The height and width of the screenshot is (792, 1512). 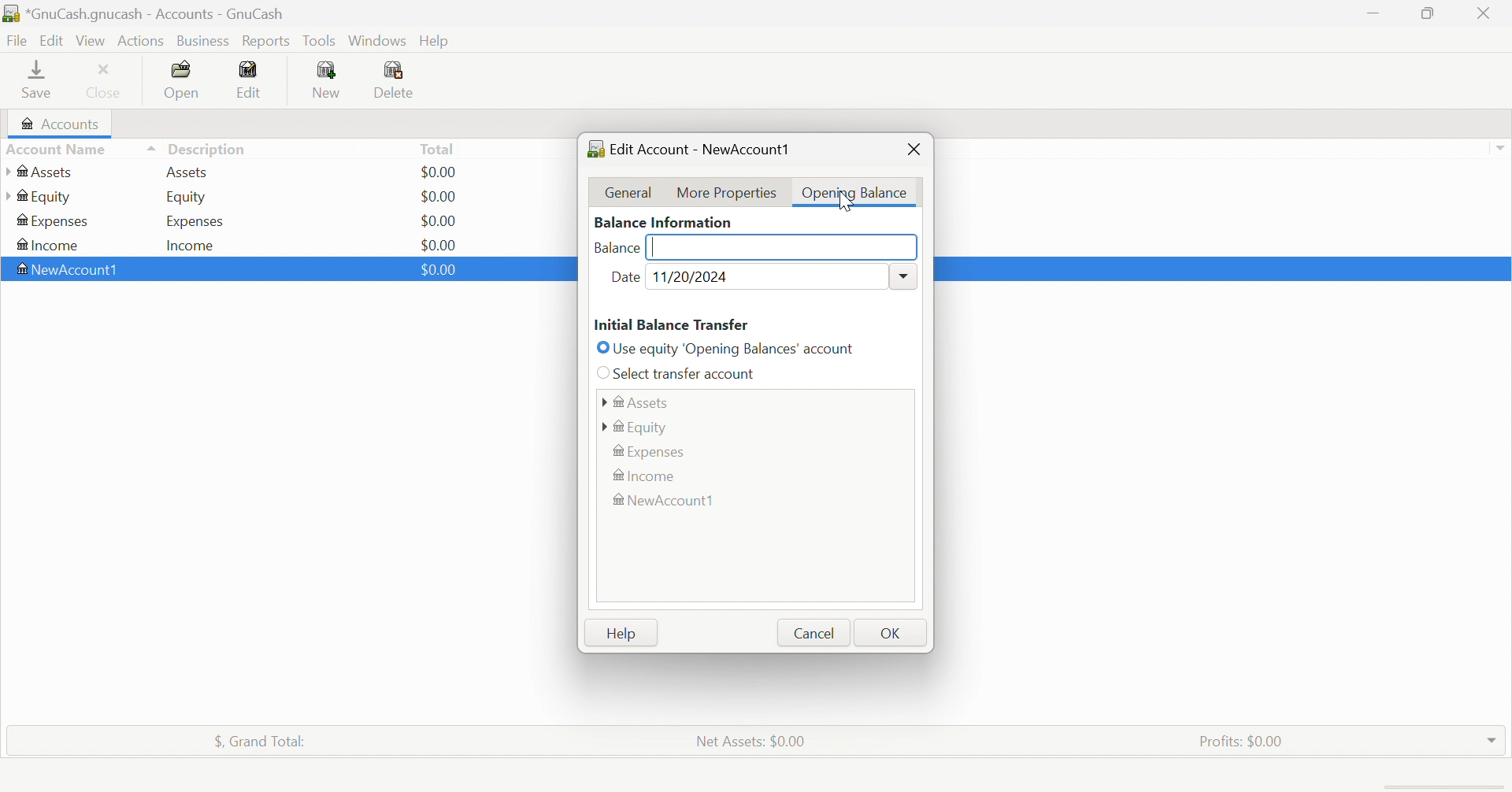 I want to click on Description, so click(x=207, y=147).